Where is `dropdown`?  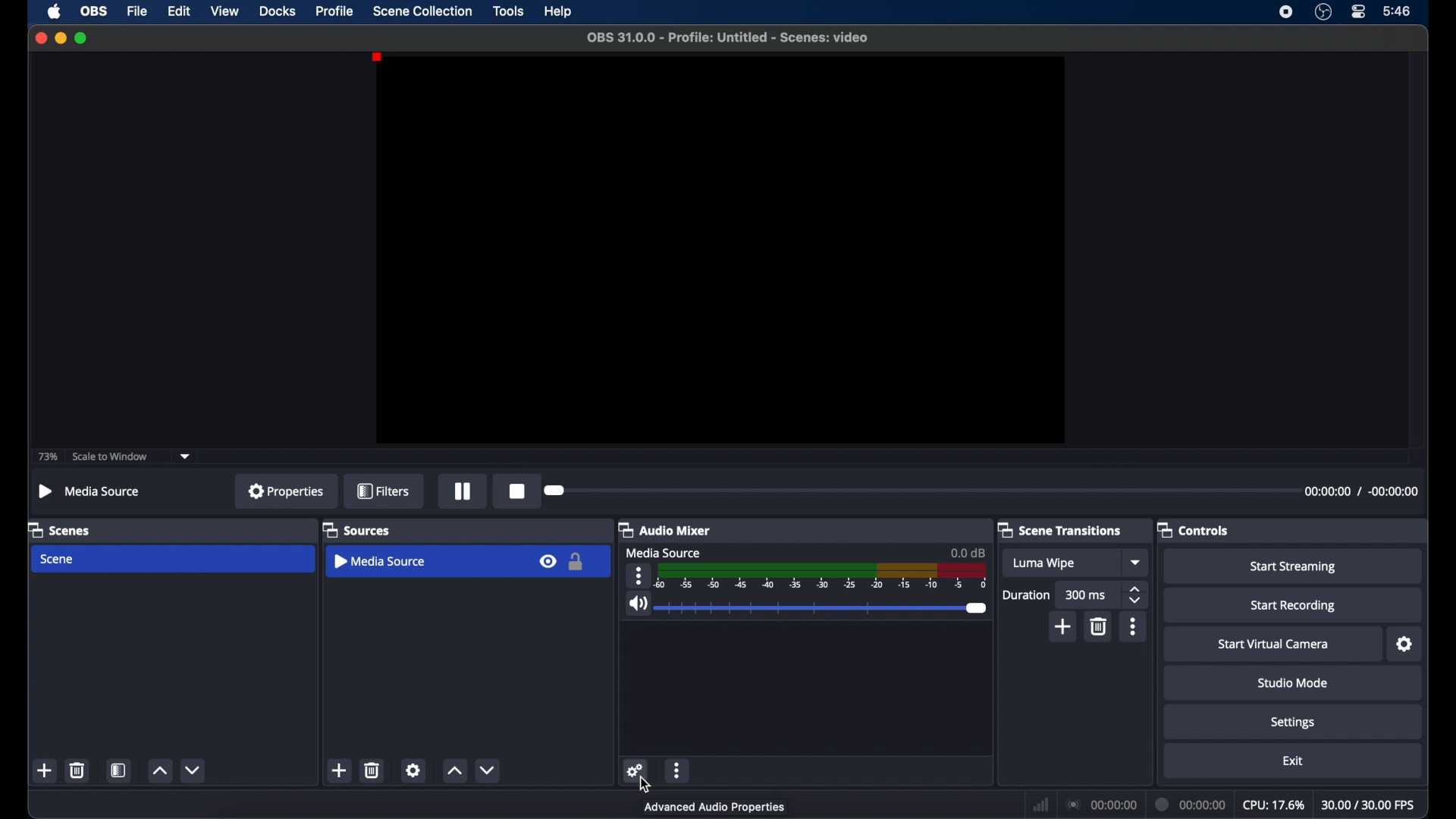 dropdown is located at coordinates (1137, 563).